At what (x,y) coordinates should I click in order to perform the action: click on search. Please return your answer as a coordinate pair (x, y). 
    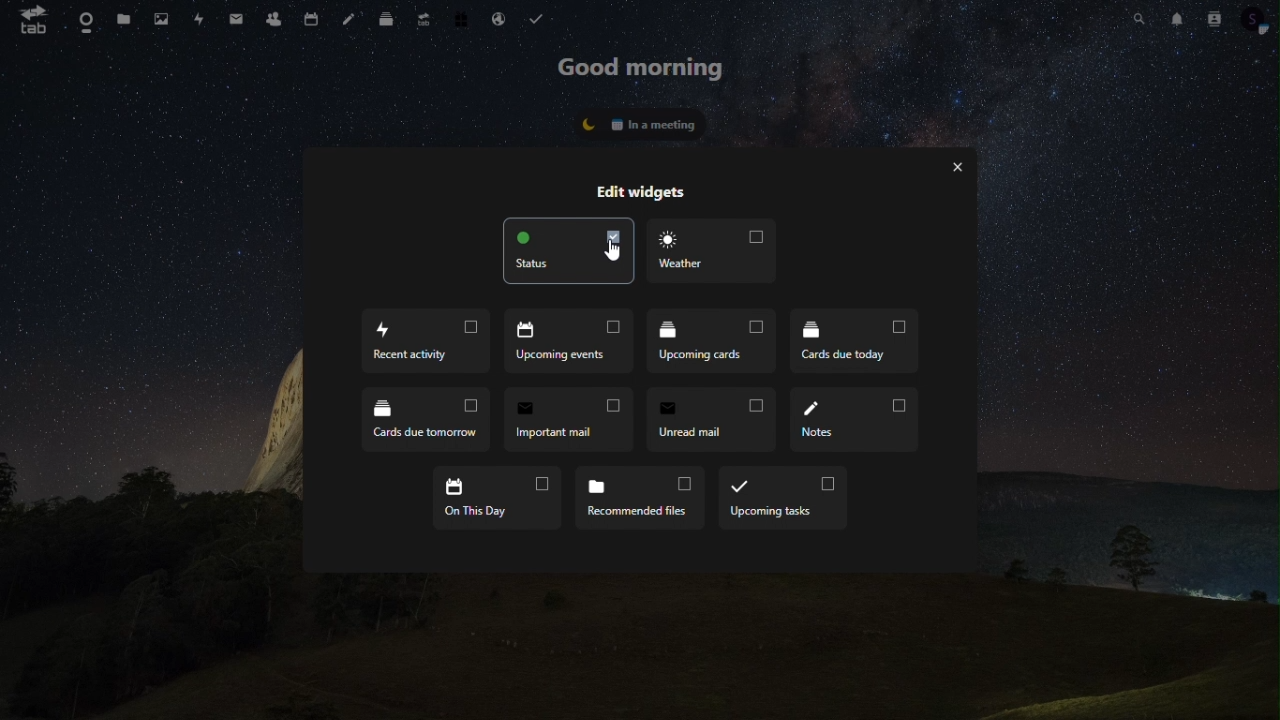
    Looking at the image, I should click on (1142, 18).